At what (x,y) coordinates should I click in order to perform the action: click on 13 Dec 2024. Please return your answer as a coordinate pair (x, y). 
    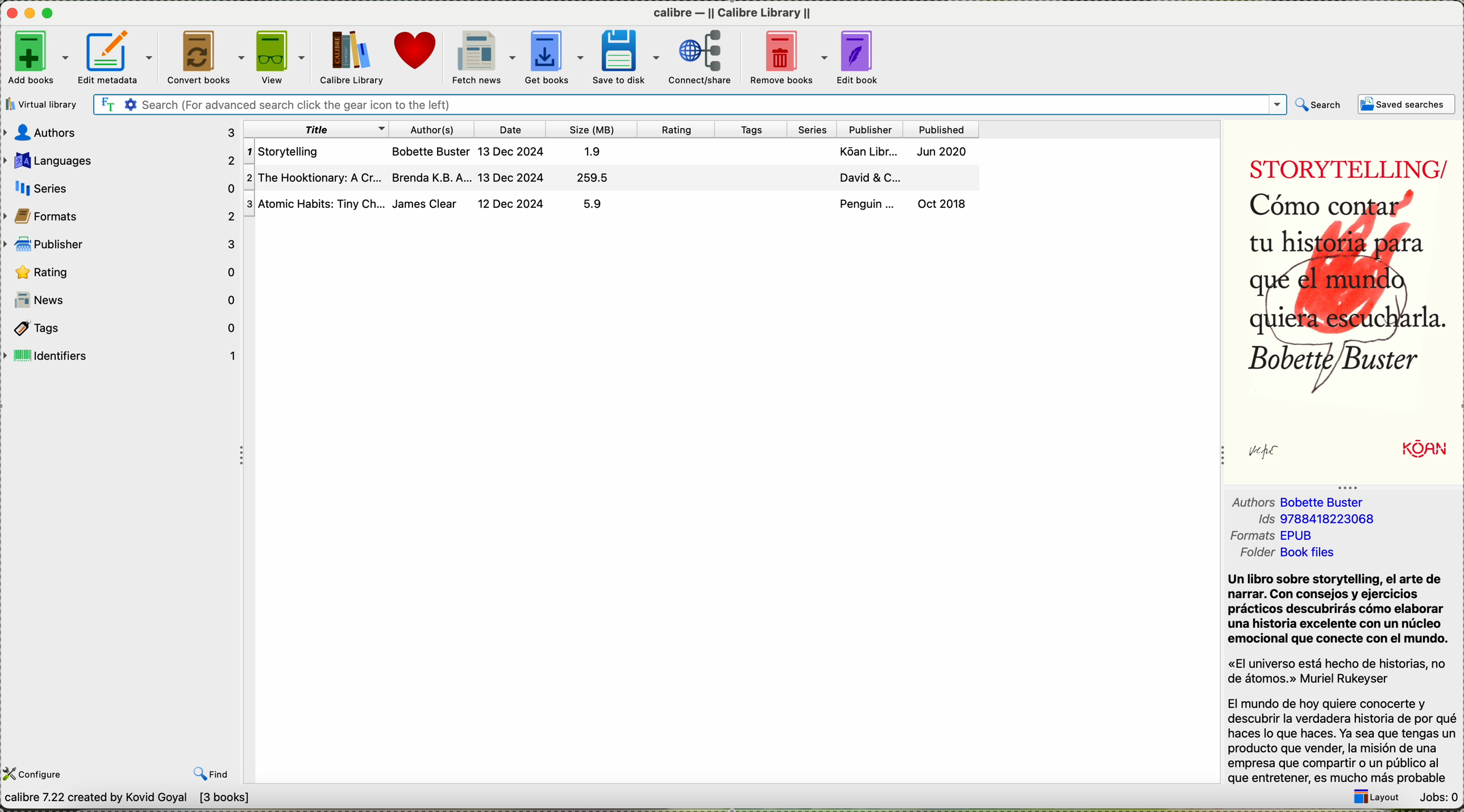
    Looking at the image, I should click on (514, 150).